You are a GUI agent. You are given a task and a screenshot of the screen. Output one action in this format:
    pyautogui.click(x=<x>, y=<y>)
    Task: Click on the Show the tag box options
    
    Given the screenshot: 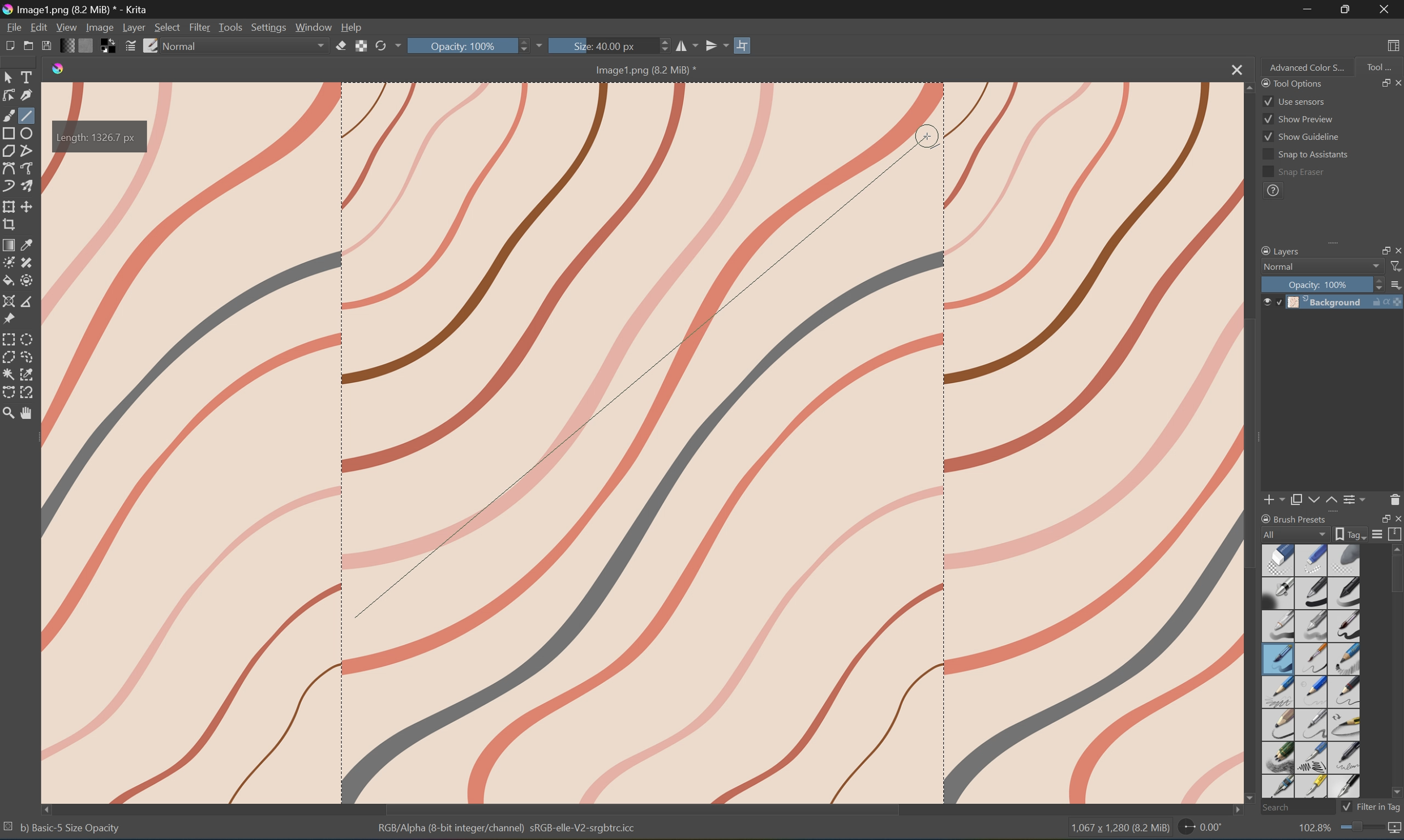 What is the action you would take?
    pyautogui.click(x=1348, y=534)
    